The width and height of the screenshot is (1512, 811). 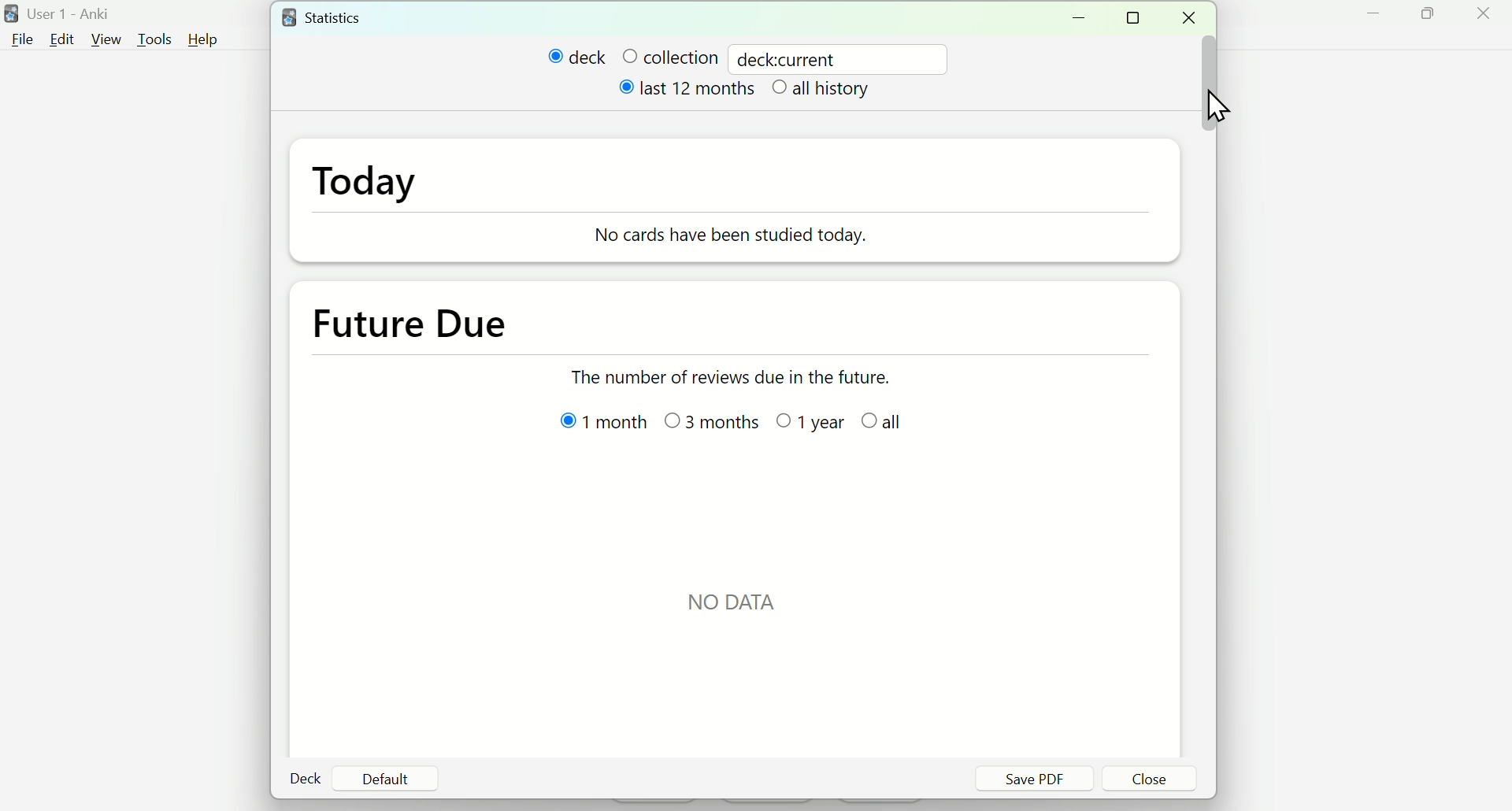 I want to click on Minimize, so click(x=1370, y=20).